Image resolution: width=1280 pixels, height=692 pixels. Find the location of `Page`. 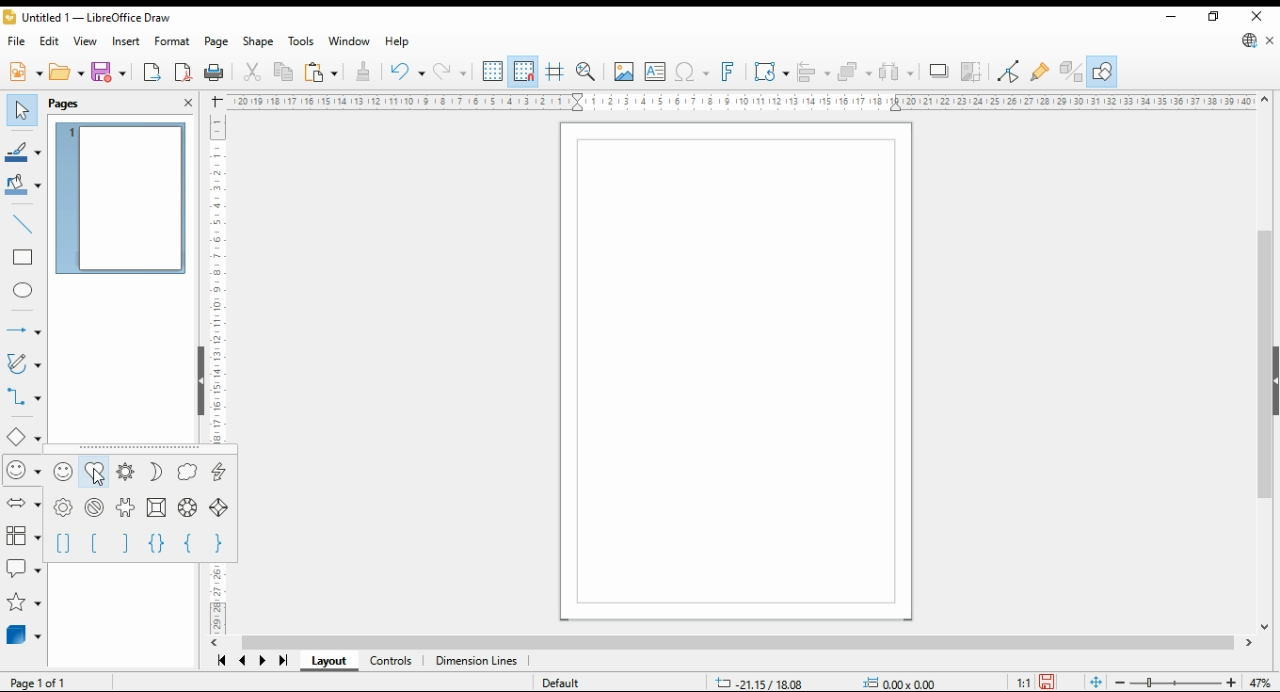

Page is located at coordinates (53, 682).